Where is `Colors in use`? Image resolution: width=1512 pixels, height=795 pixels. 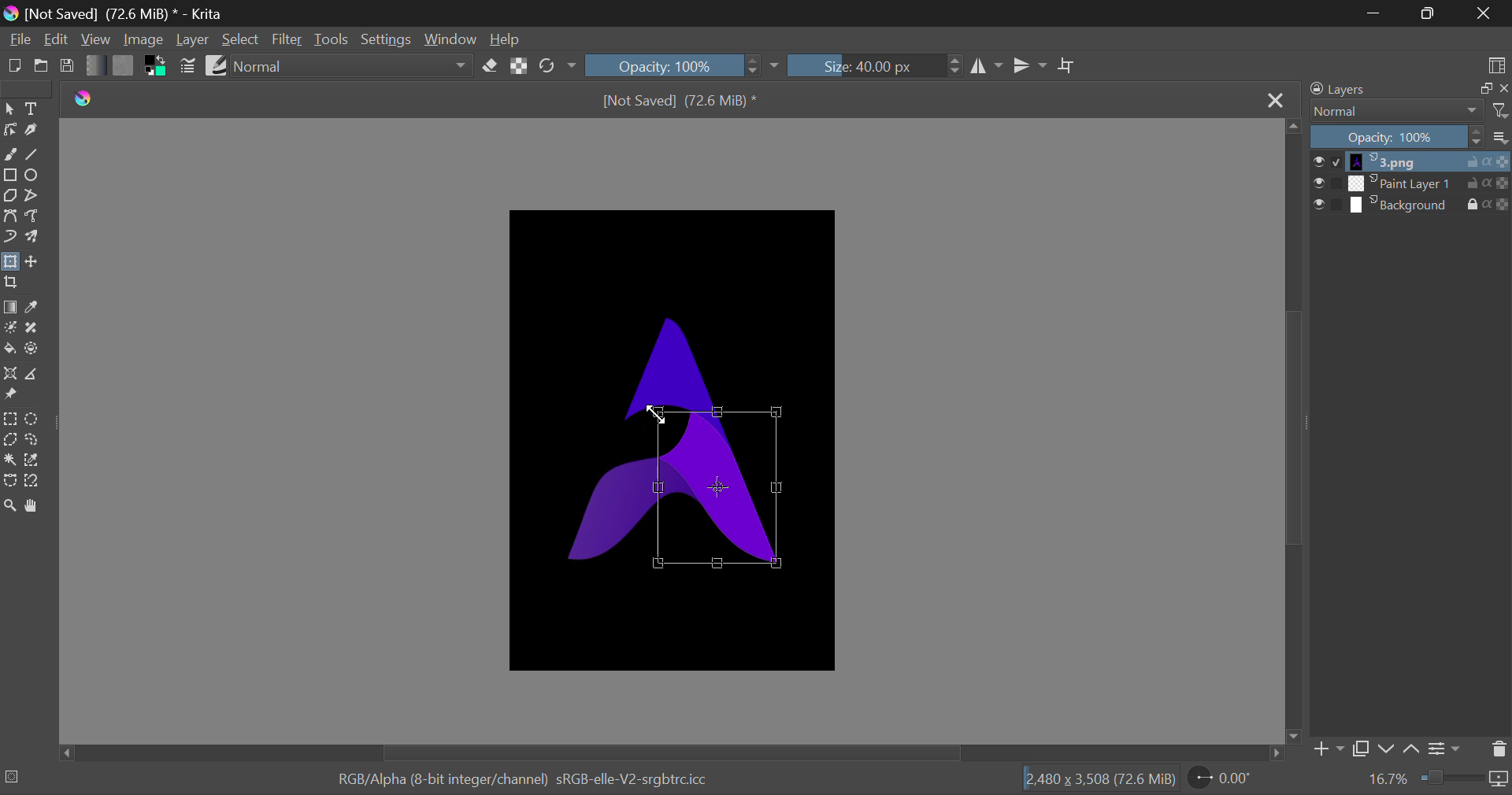 Colors in use is located at coordinates (157, 66).